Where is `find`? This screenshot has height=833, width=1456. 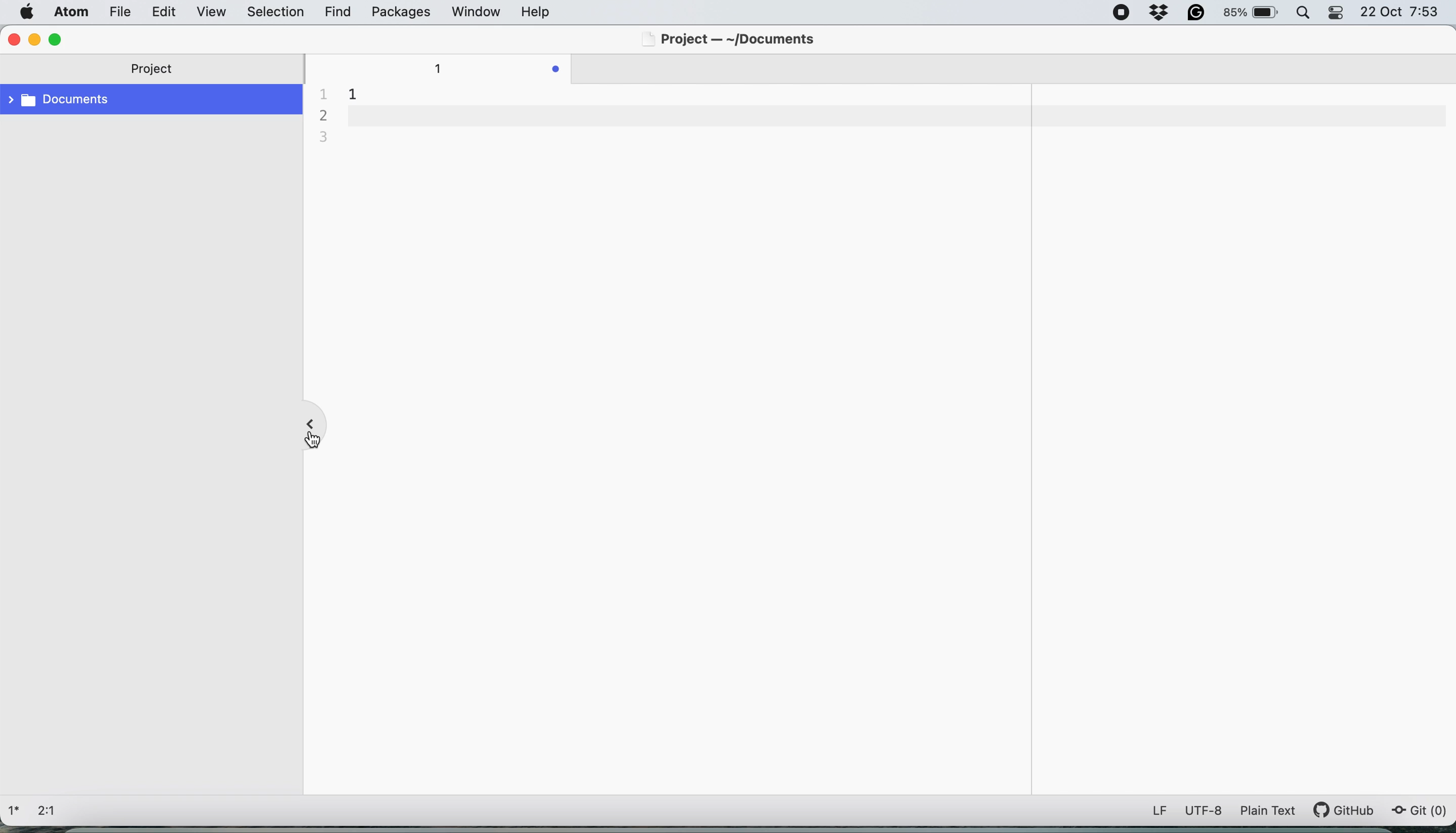
find is located at coordinates (340, 13).